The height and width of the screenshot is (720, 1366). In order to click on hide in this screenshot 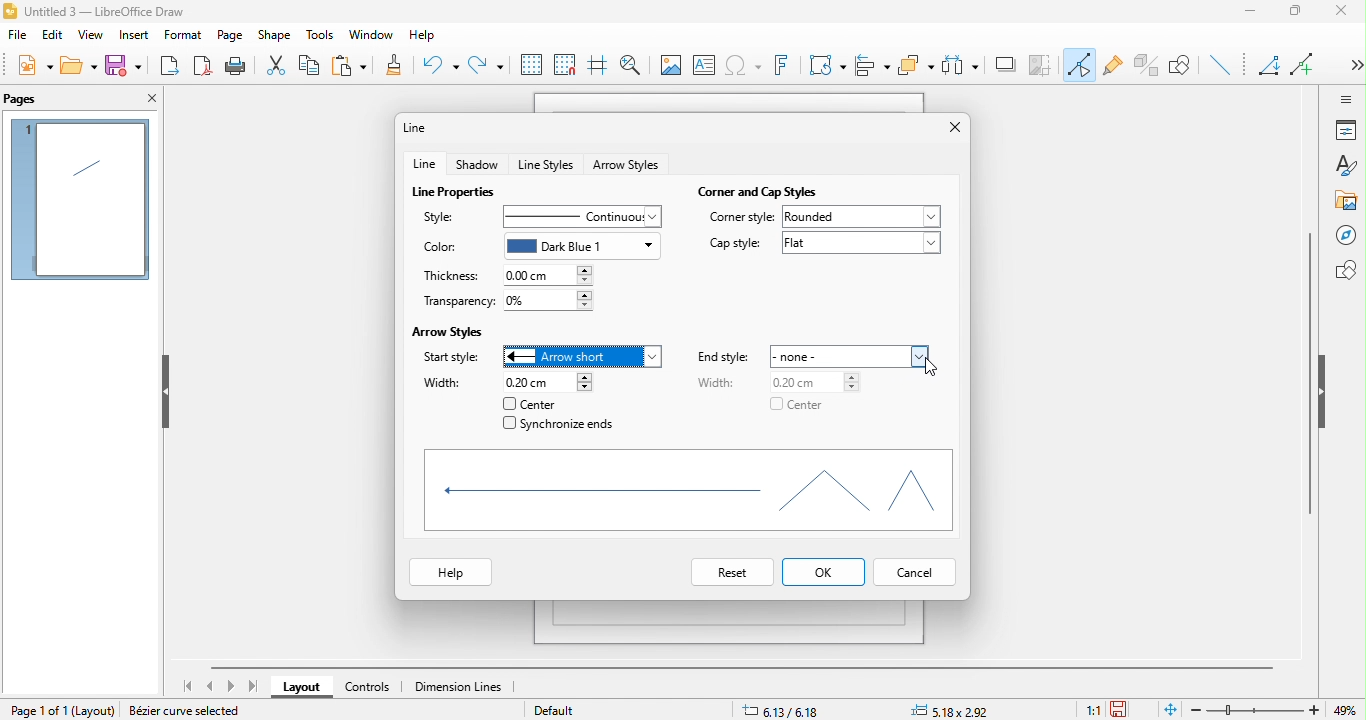, I will do `click(164, 393)`.